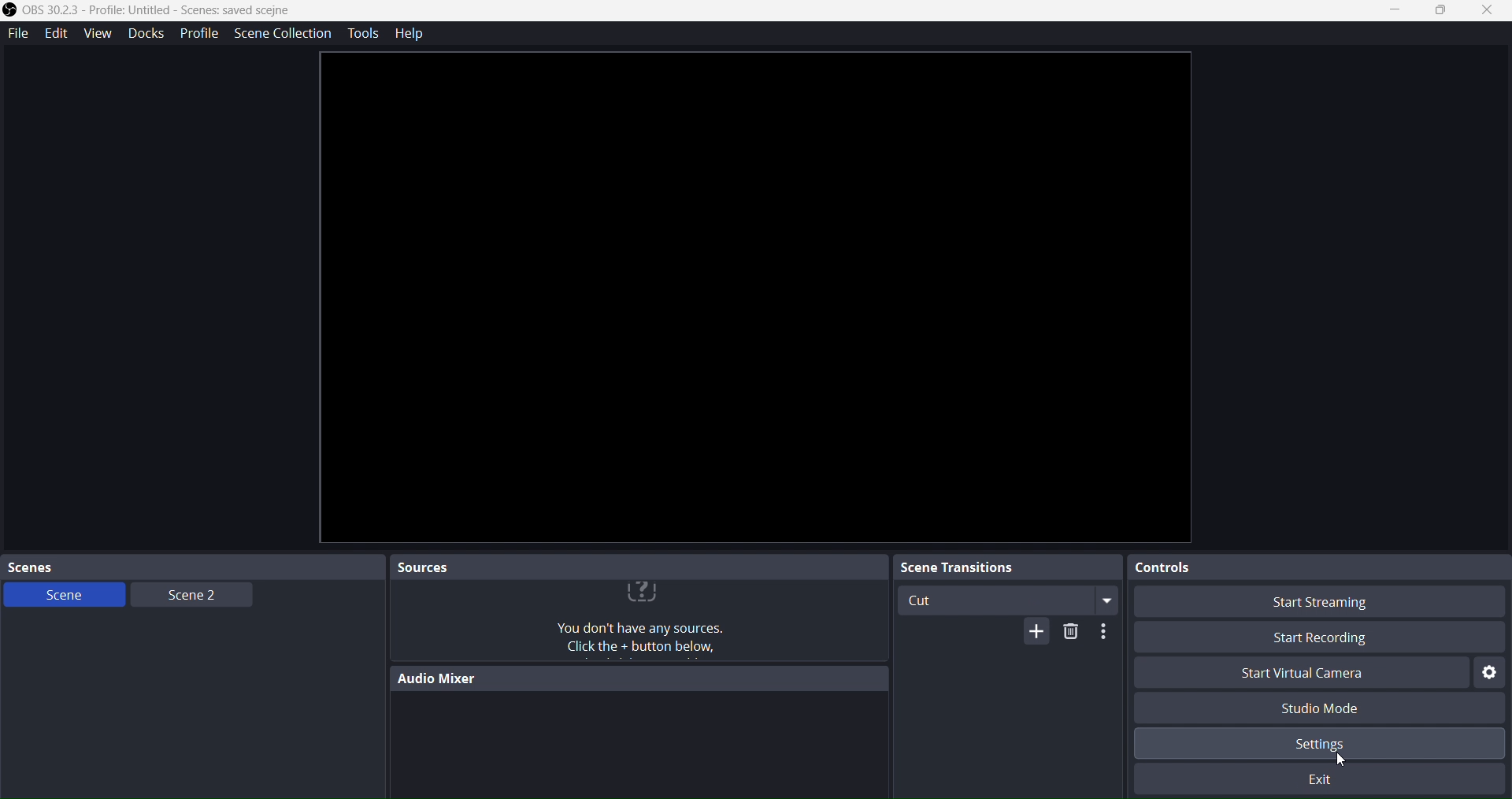 Image resolution: width=1512 pixels, height=799 pixels. What do you see at coordinates (633, 620) in the screenshot?
I see `You dont have any sources` at bounding box center [633, 620].